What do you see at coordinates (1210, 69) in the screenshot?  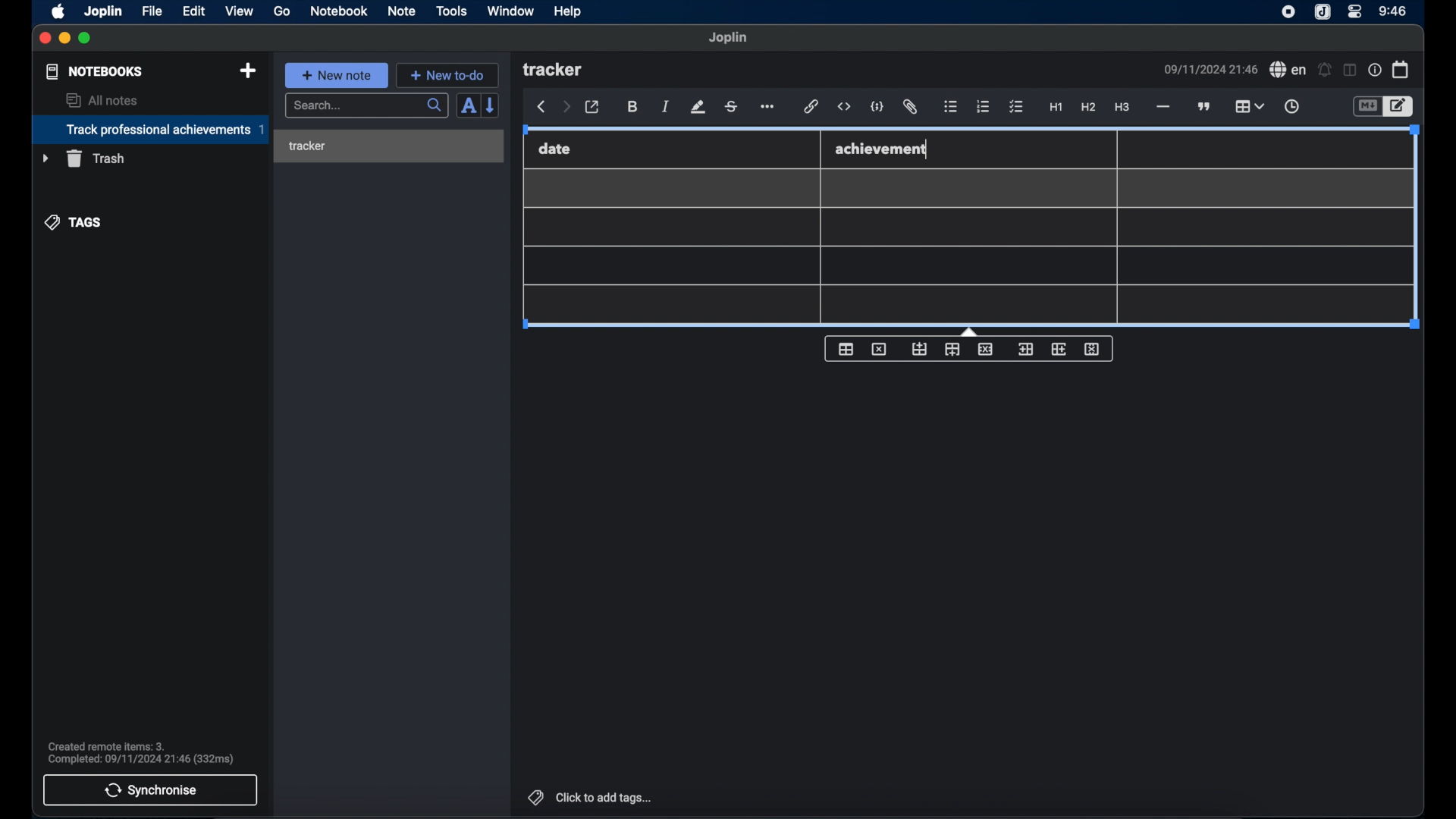 I see `date and time` at bounding box center [1210, 69].